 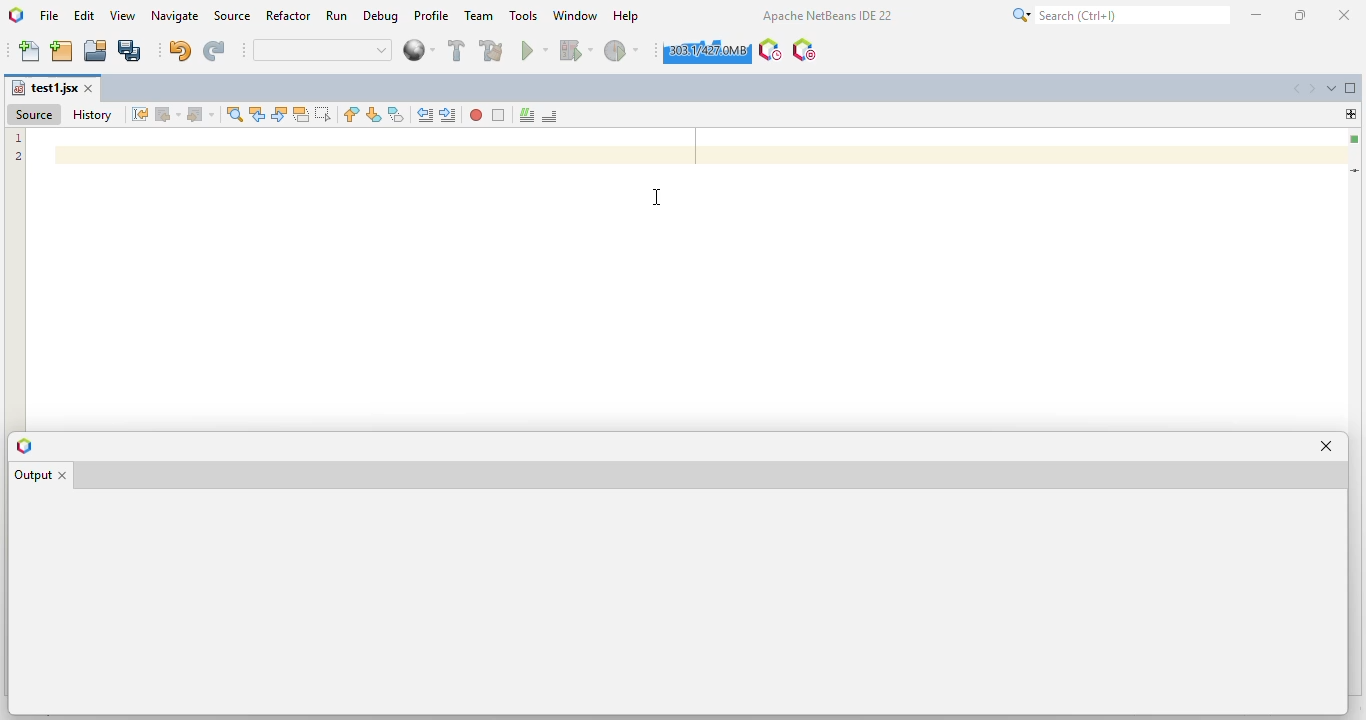 I want to click on navigate, so click(x=177, y=16).